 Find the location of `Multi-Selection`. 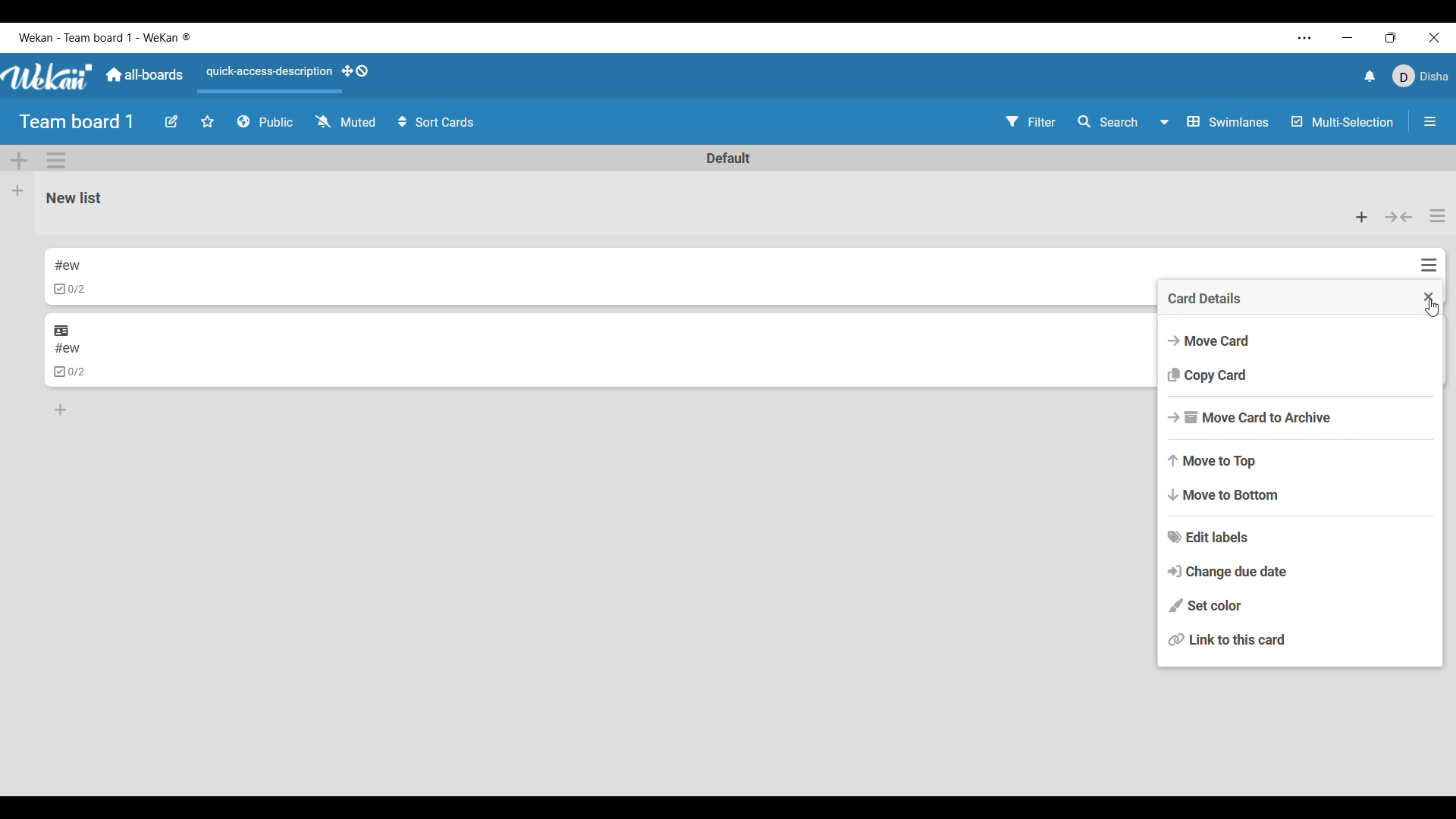

Multi-Selection is located at coordinates (1344, 122).